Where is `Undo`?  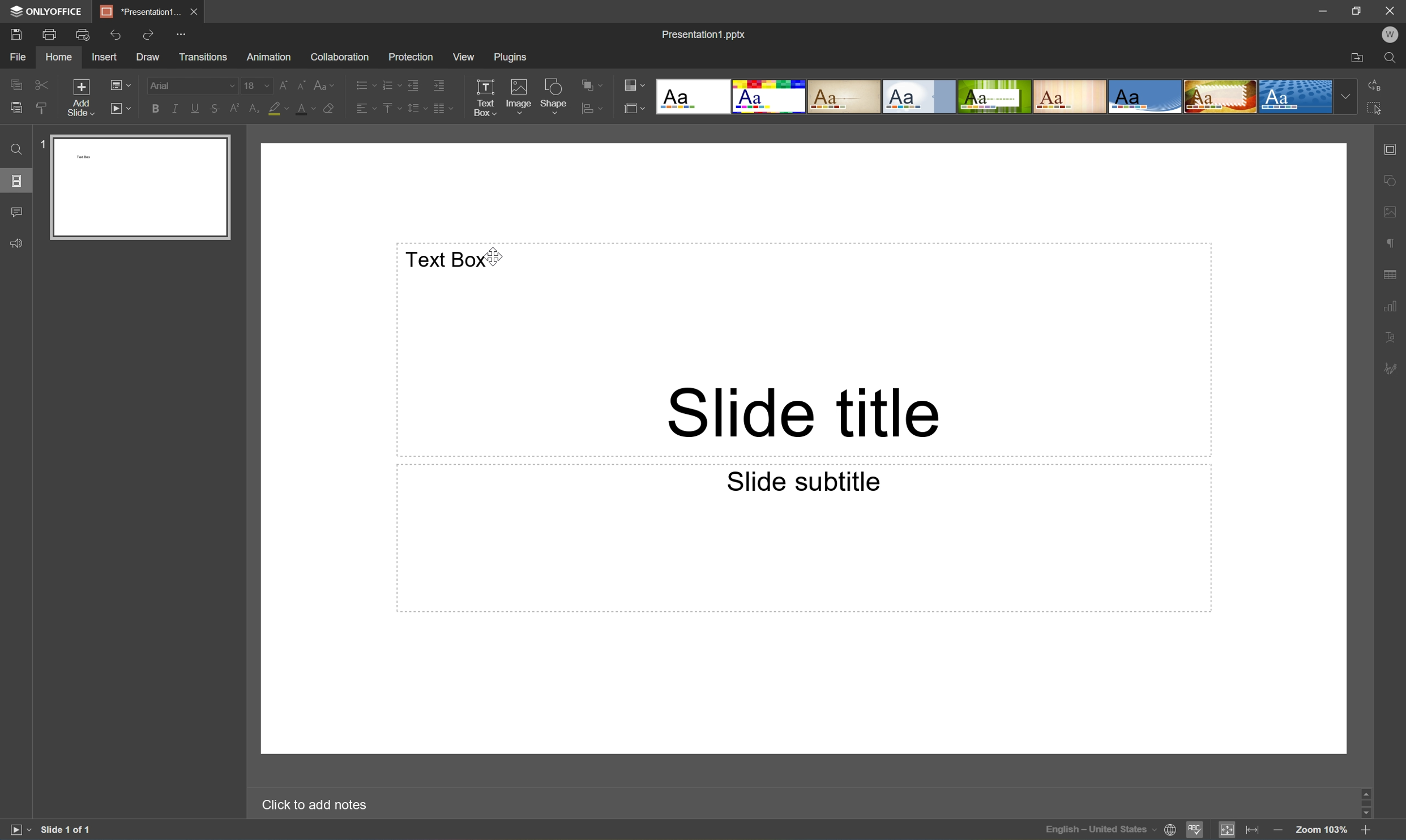
Undo is located at coordinates (118, 36).